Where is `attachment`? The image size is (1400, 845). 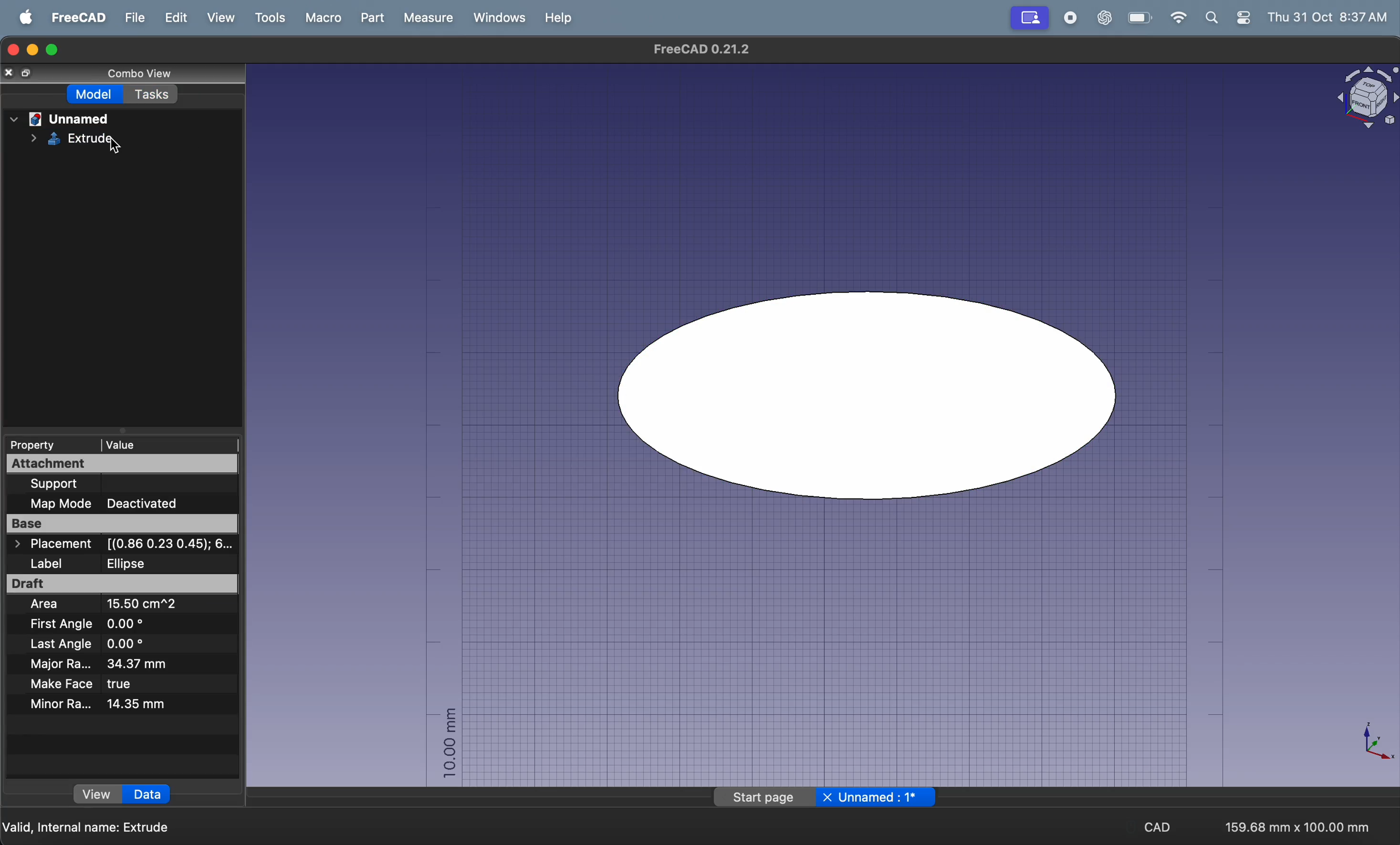 attachment is located at coordinates (124, 463).